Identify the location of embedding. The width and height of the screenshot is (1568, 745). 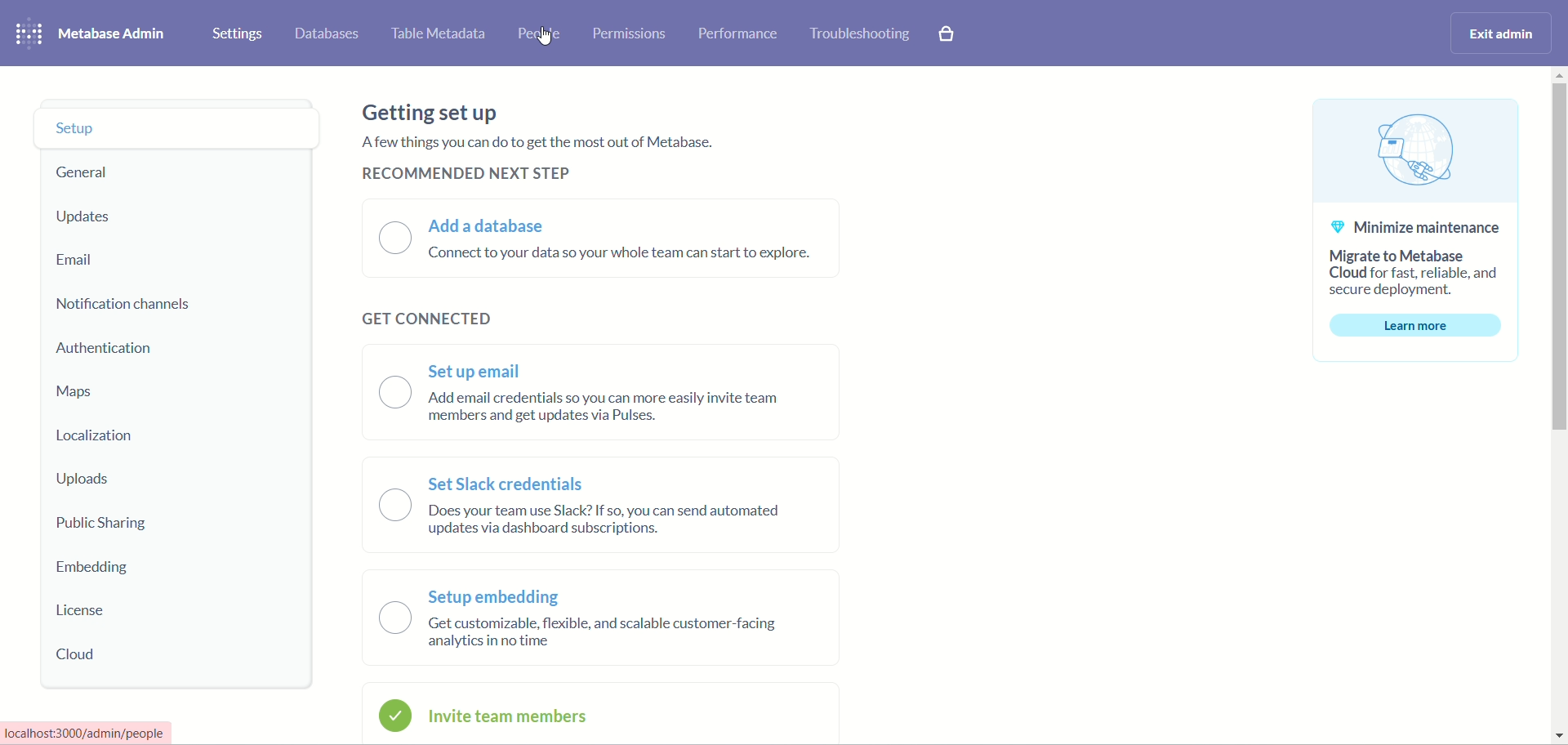
(100, 569).